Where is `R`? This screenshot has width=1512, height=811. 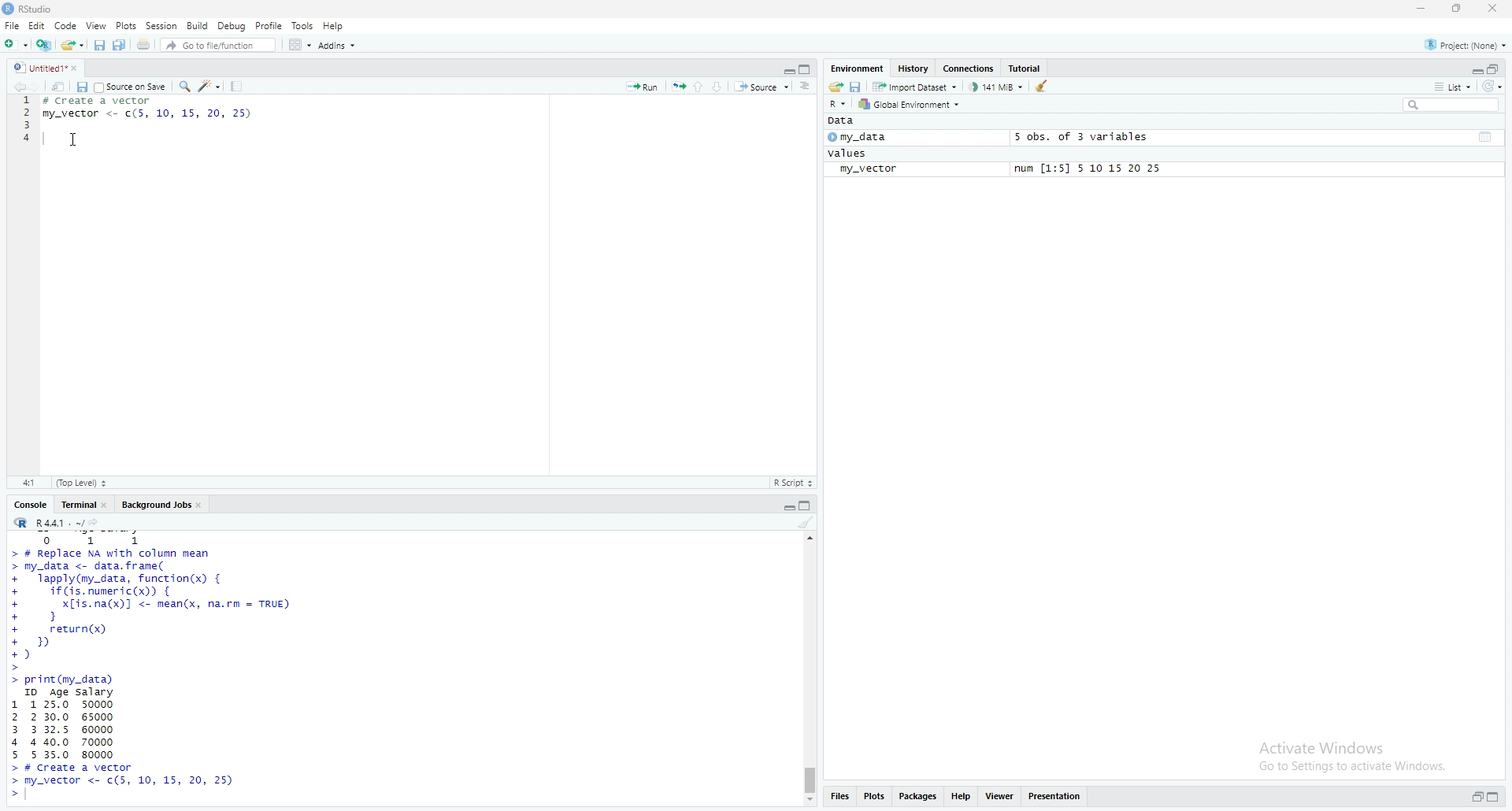 R is located at coordinates (837, 104).